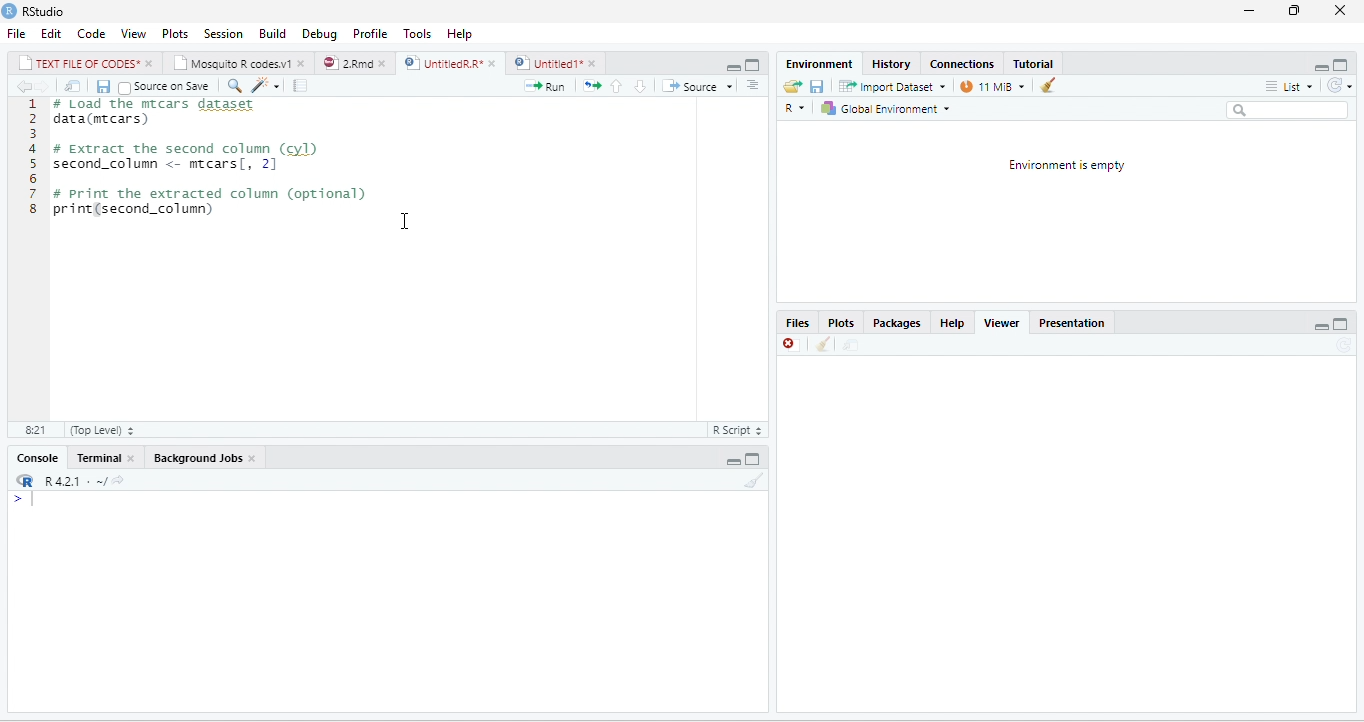 The height and width of the screenshot is (722, 1364). What do you see at coordinates (891, 63) in the screenshot?
I see `History` at bounding box center [891, 63].